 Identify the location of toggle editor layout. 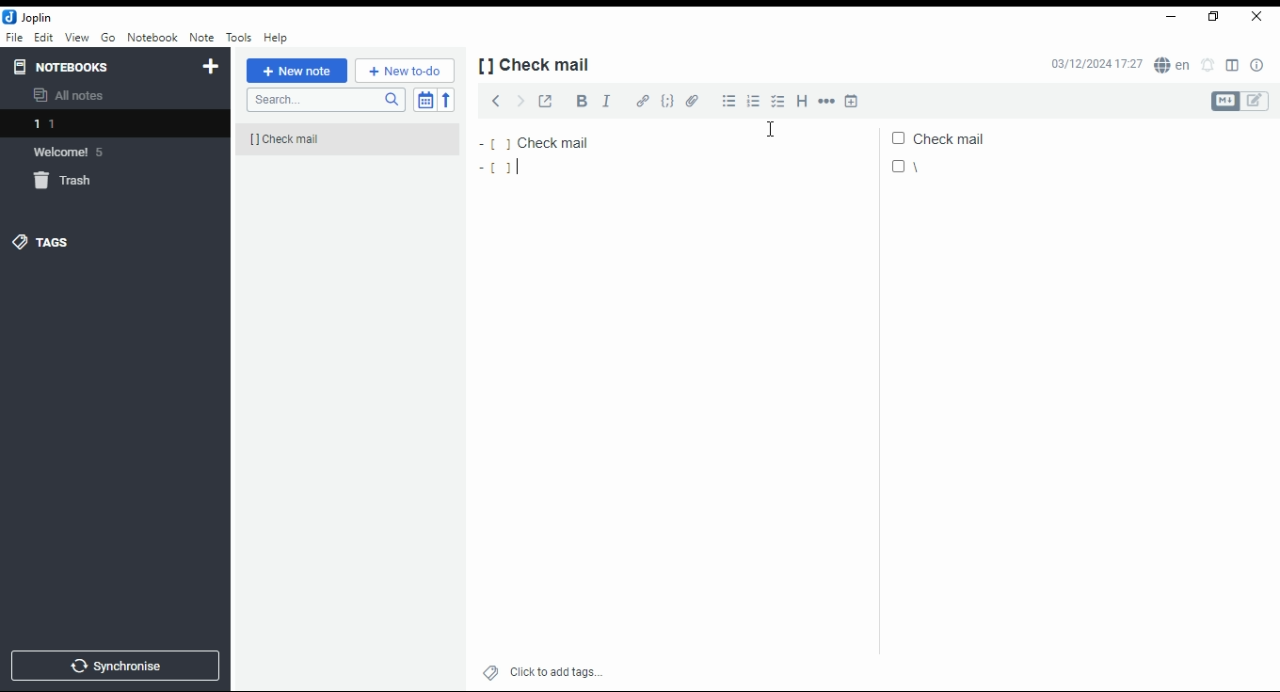
(1233, 63).